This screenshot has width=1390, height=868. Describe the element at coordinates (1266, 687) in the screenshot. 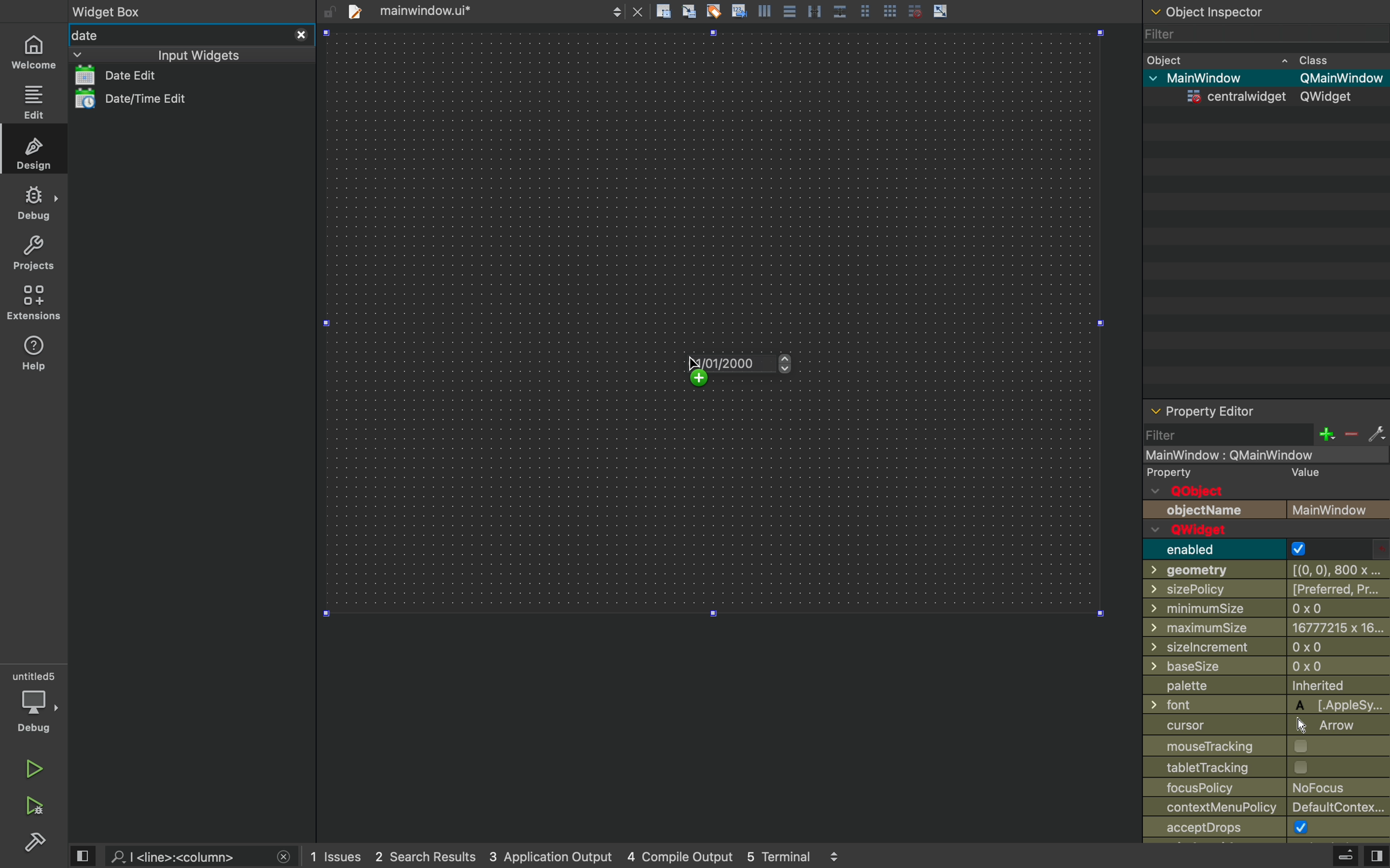

I see `palette` at that location.